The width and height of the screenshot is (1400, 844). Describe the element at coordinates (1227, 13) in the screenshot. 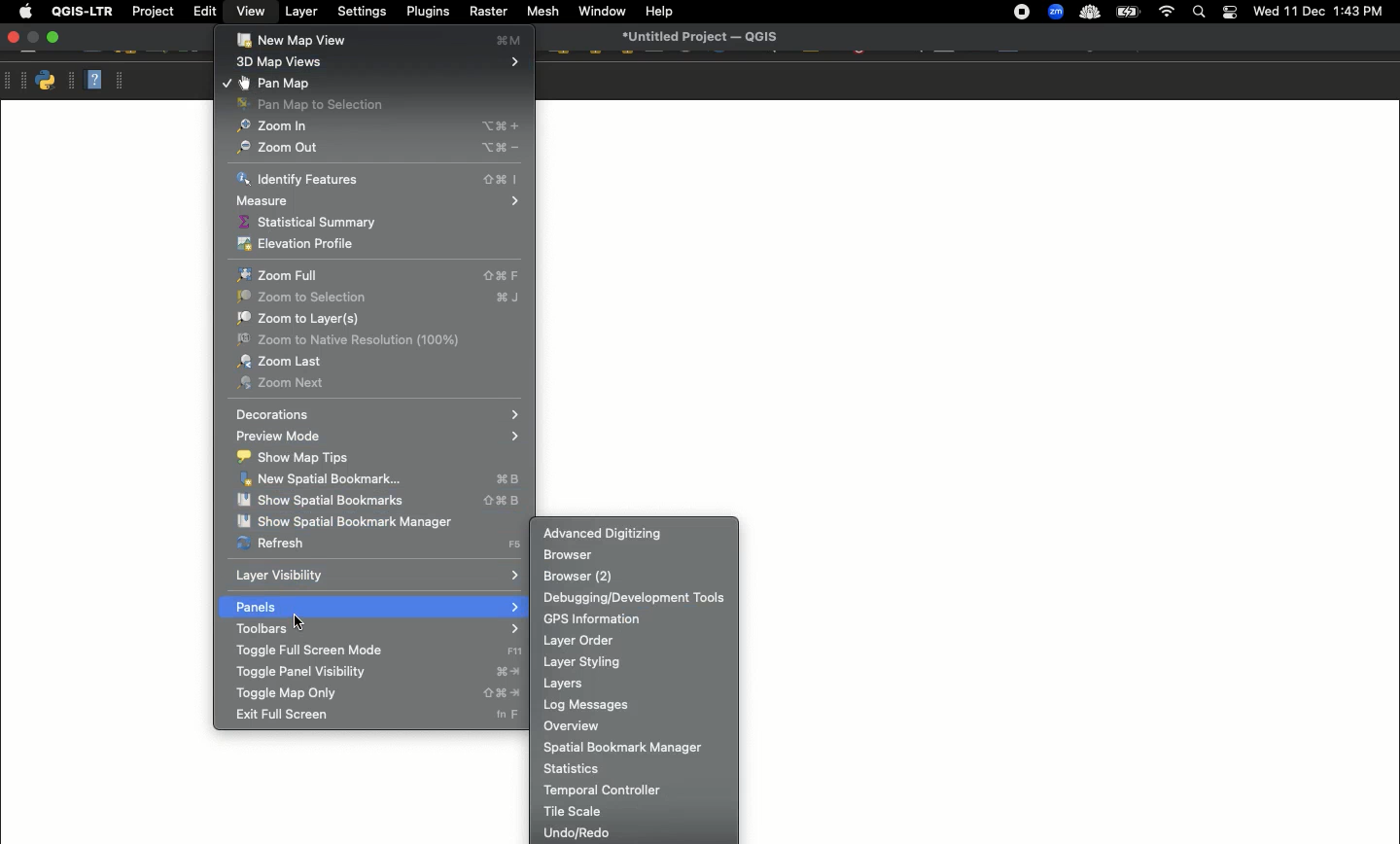

I see `Notification` at that location.